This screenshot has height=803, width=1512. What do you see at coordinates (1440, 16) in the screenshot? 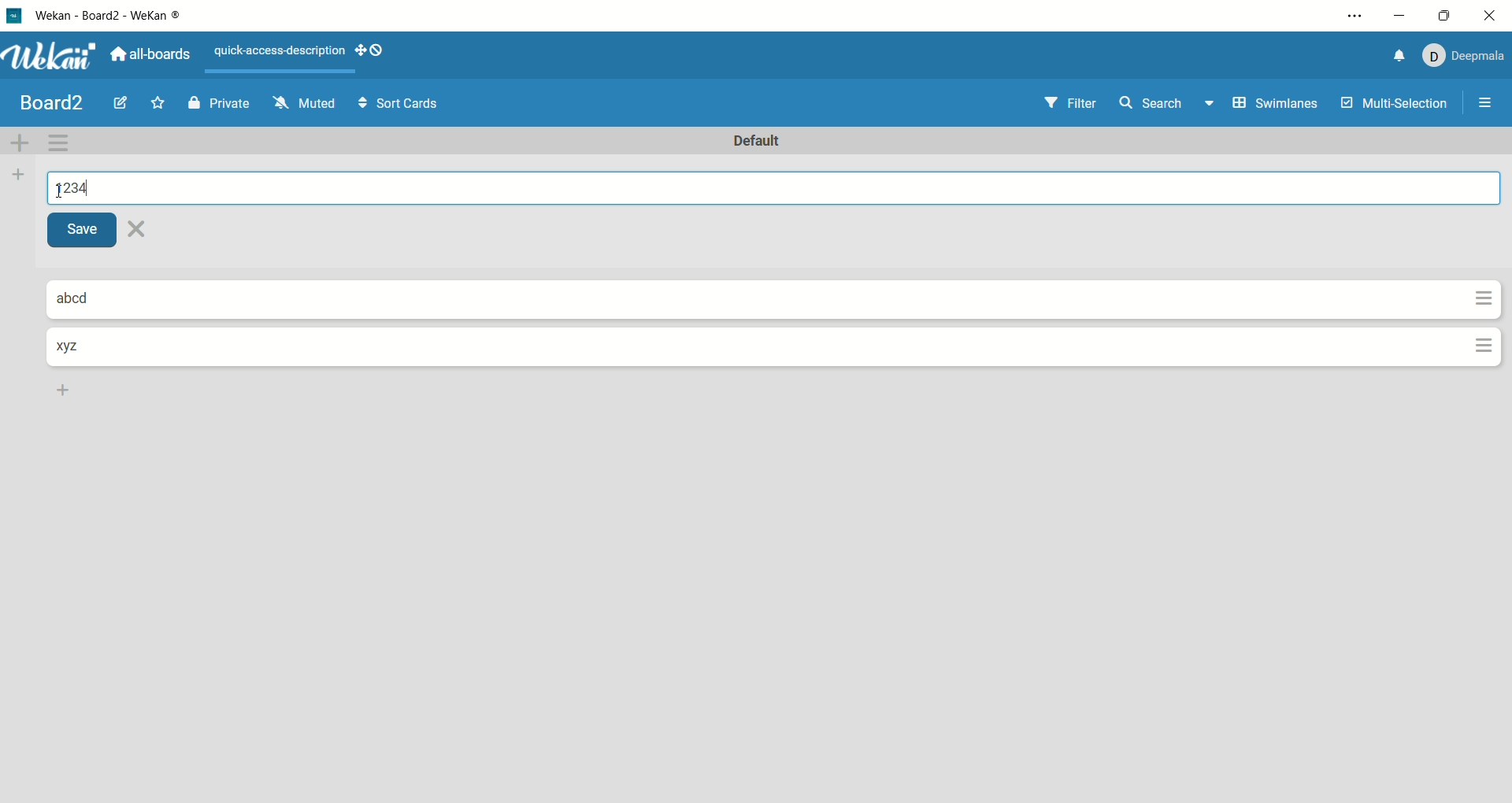
I see `maximize` at bounding box center [1440, 16].